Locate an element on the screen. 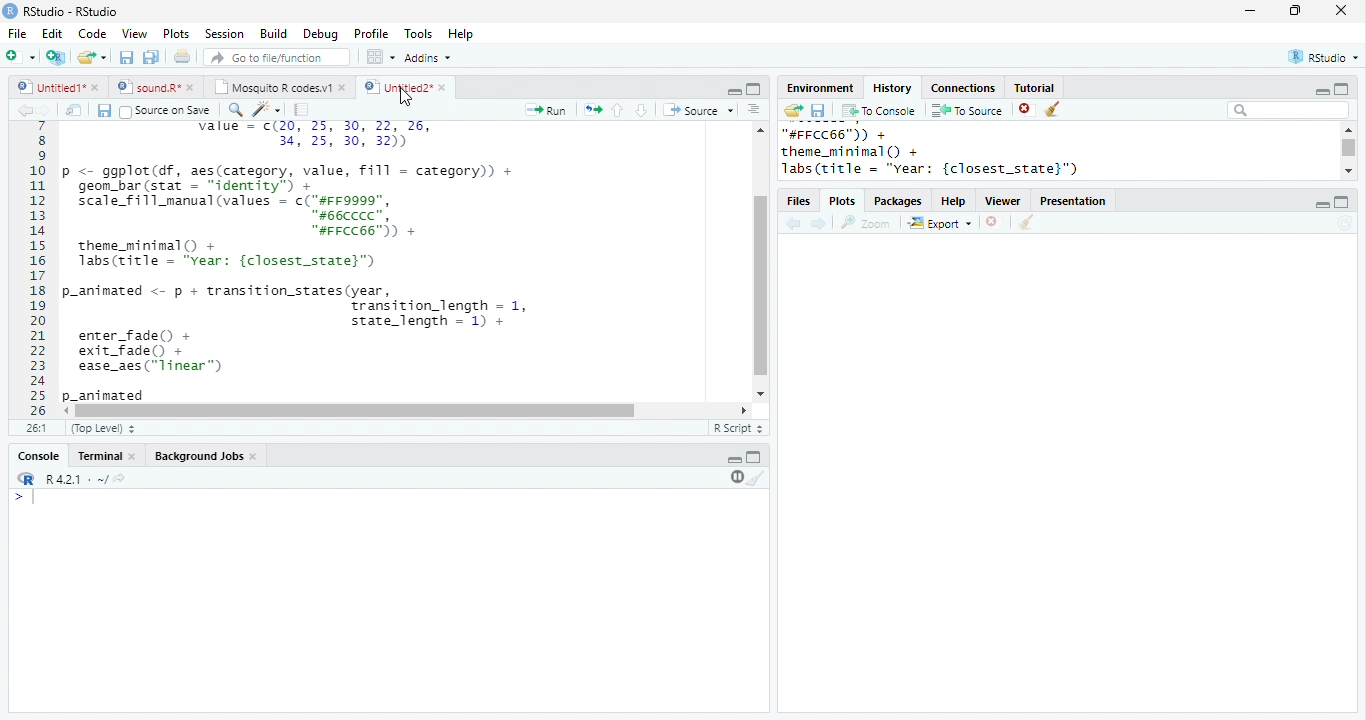  Help is located at coordinates (460, 33).